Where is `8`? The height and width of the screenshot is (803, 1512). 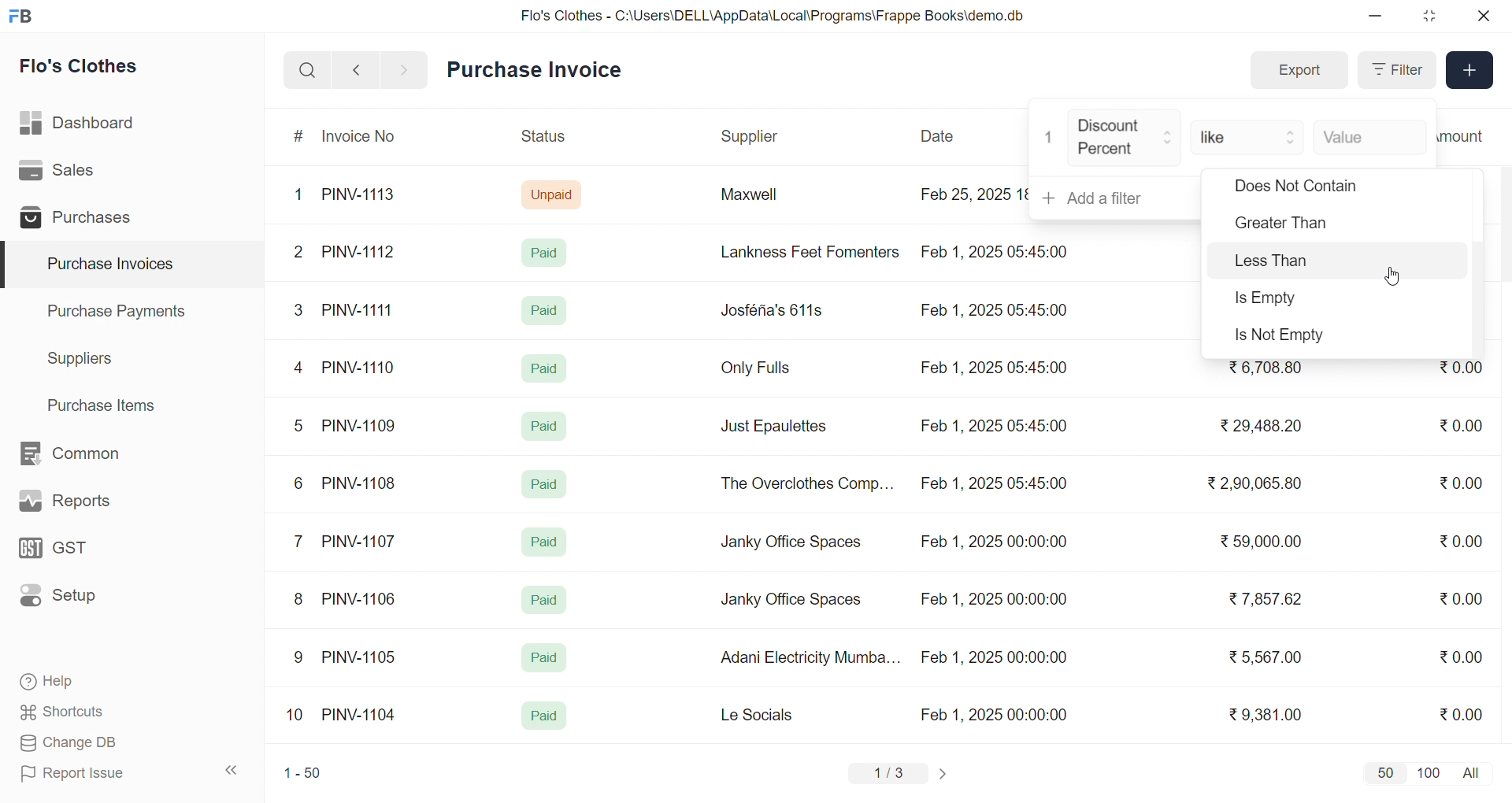
8 is located at coordinates (299, 601).